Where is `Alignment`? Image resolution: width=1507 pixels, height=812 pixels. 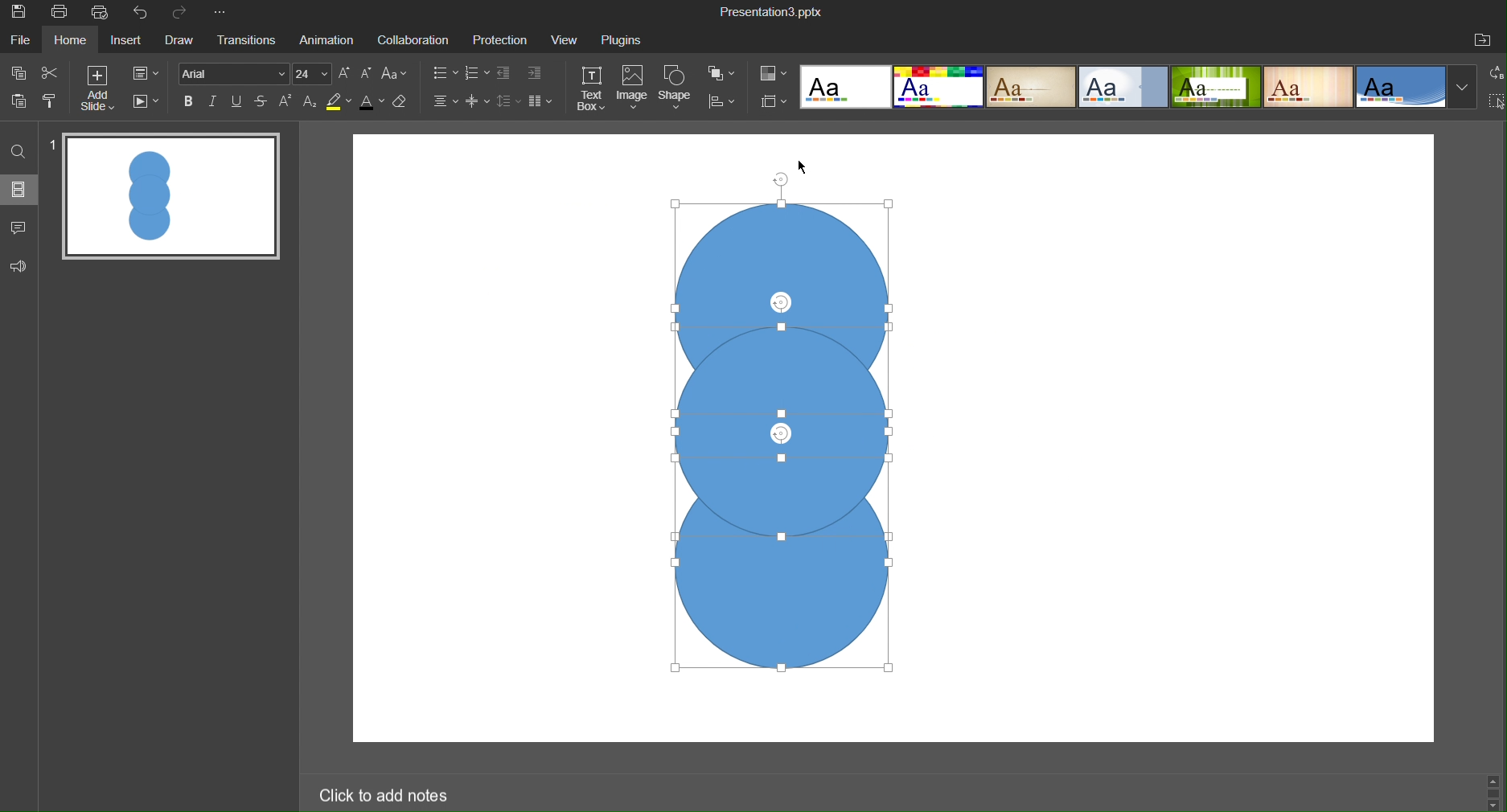 Alignment is located at coordinates (444, 102).